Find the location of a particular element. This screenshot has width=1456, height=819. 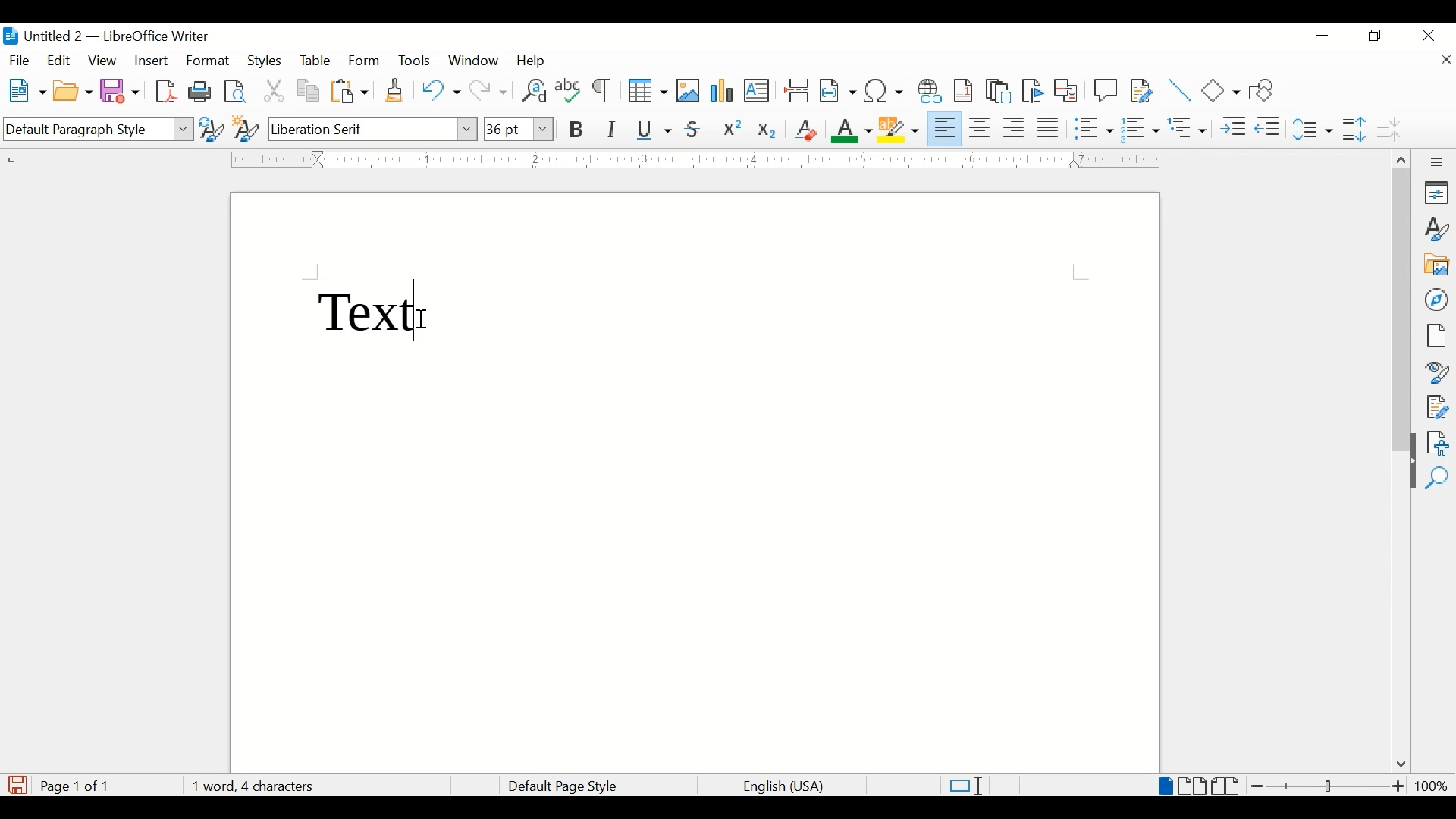

align center is located at coordinates (982, 129).